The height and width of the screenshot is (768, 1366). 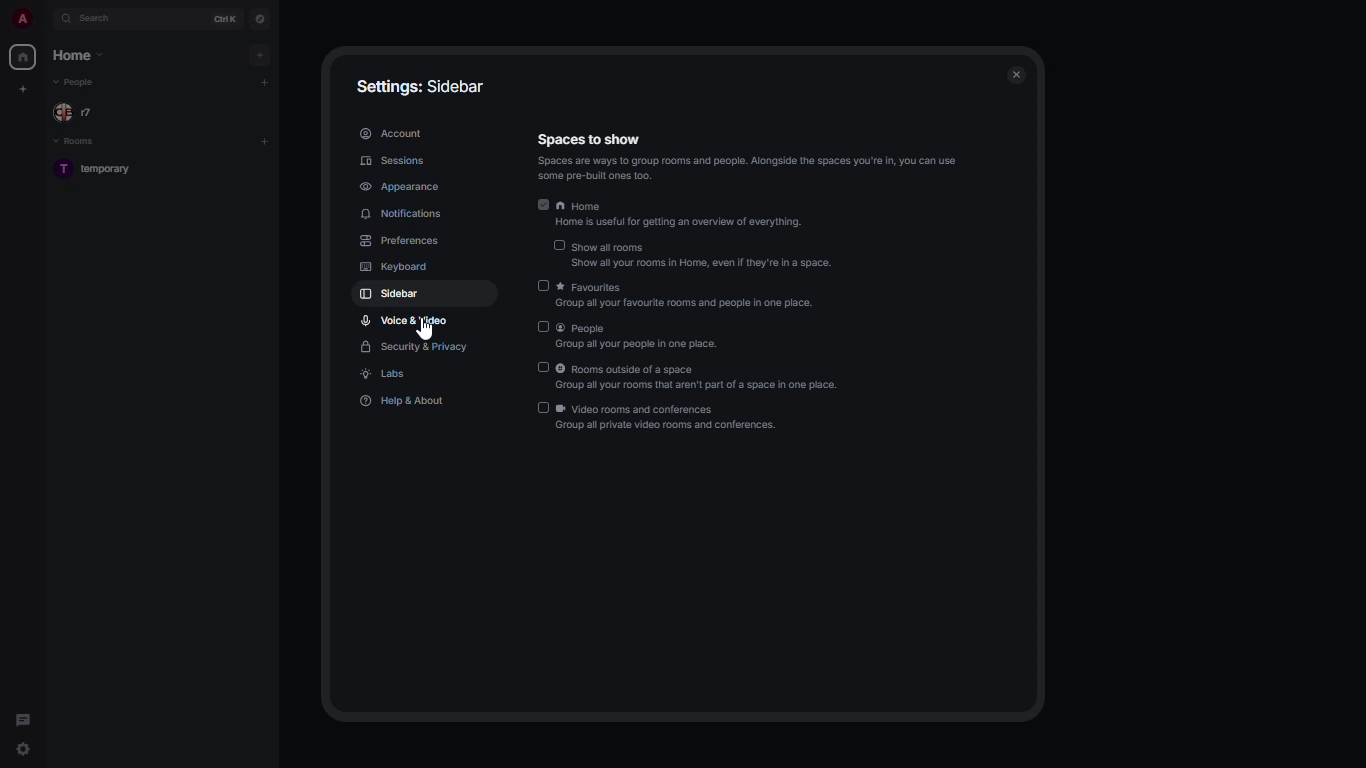 What do you see at coordinates (78, 55) in the screenshot?
I see `home` at bounding box center [78, 55].